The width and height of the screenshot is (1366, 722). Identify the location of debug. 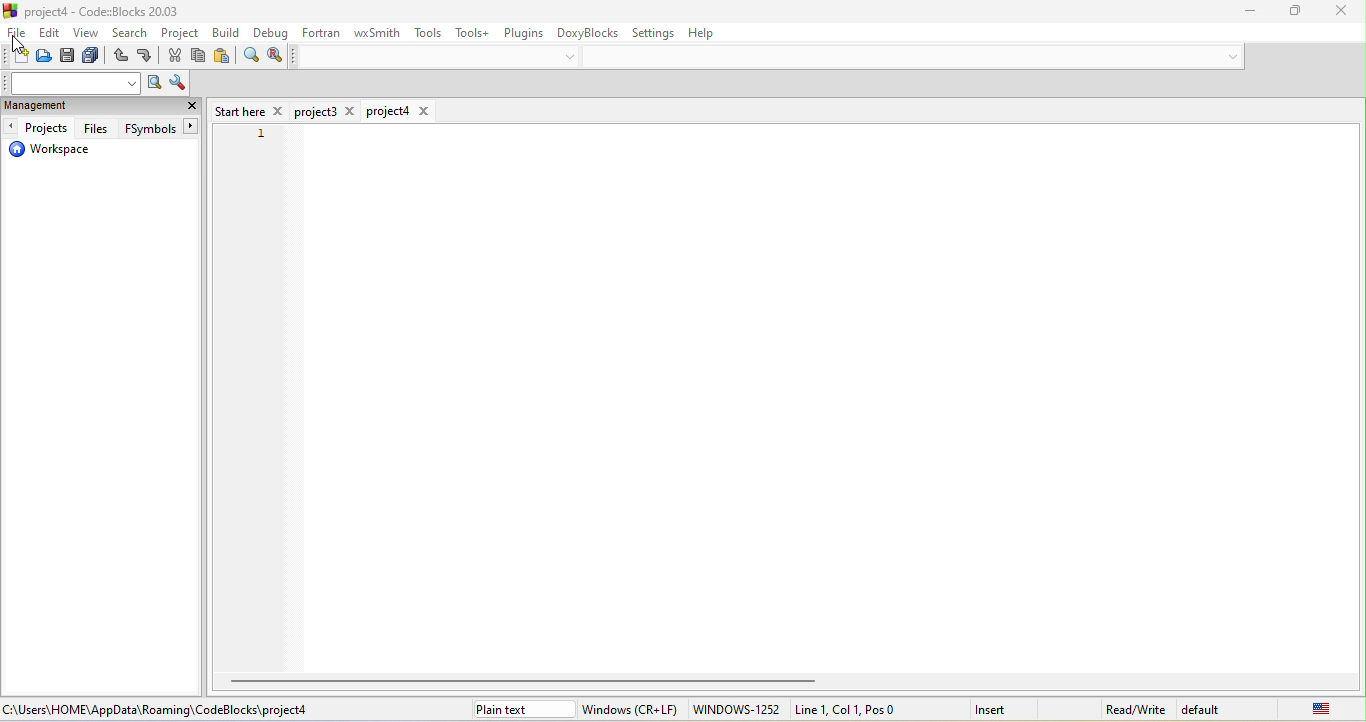
(269, 34).